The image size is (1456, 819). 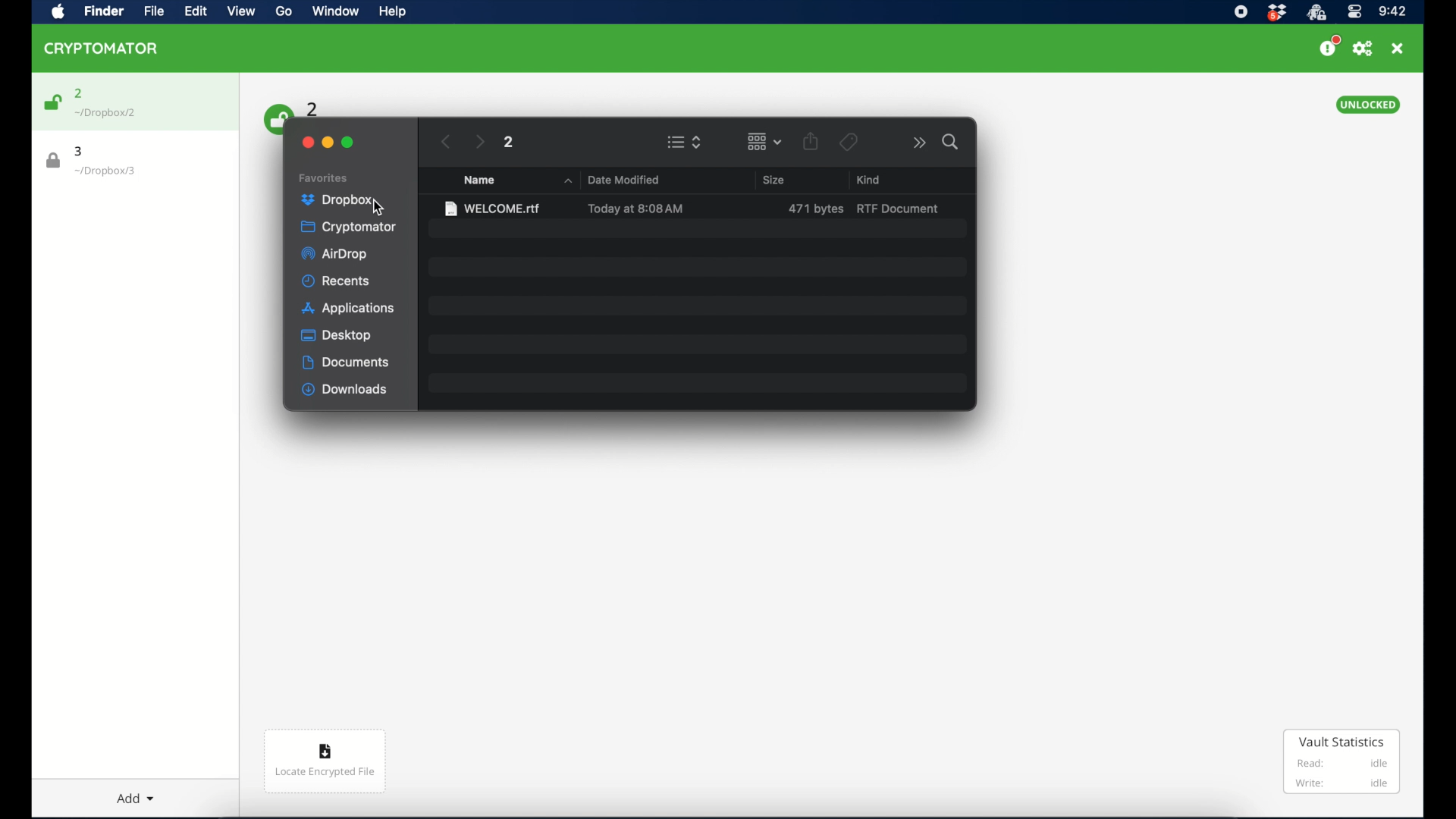 I want to click on location, so click(x=106, y=113).